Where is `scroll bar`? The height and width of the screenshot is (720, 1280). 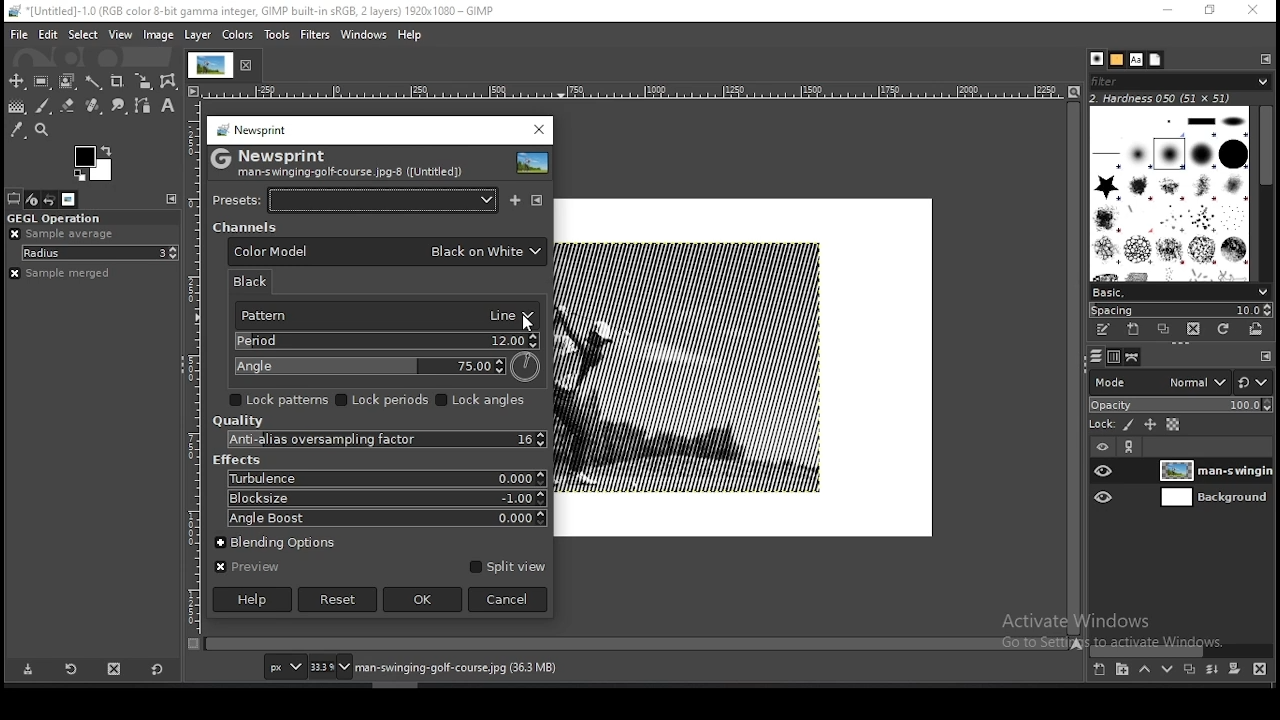 scroll bar is located at coordinates (1076, 368).